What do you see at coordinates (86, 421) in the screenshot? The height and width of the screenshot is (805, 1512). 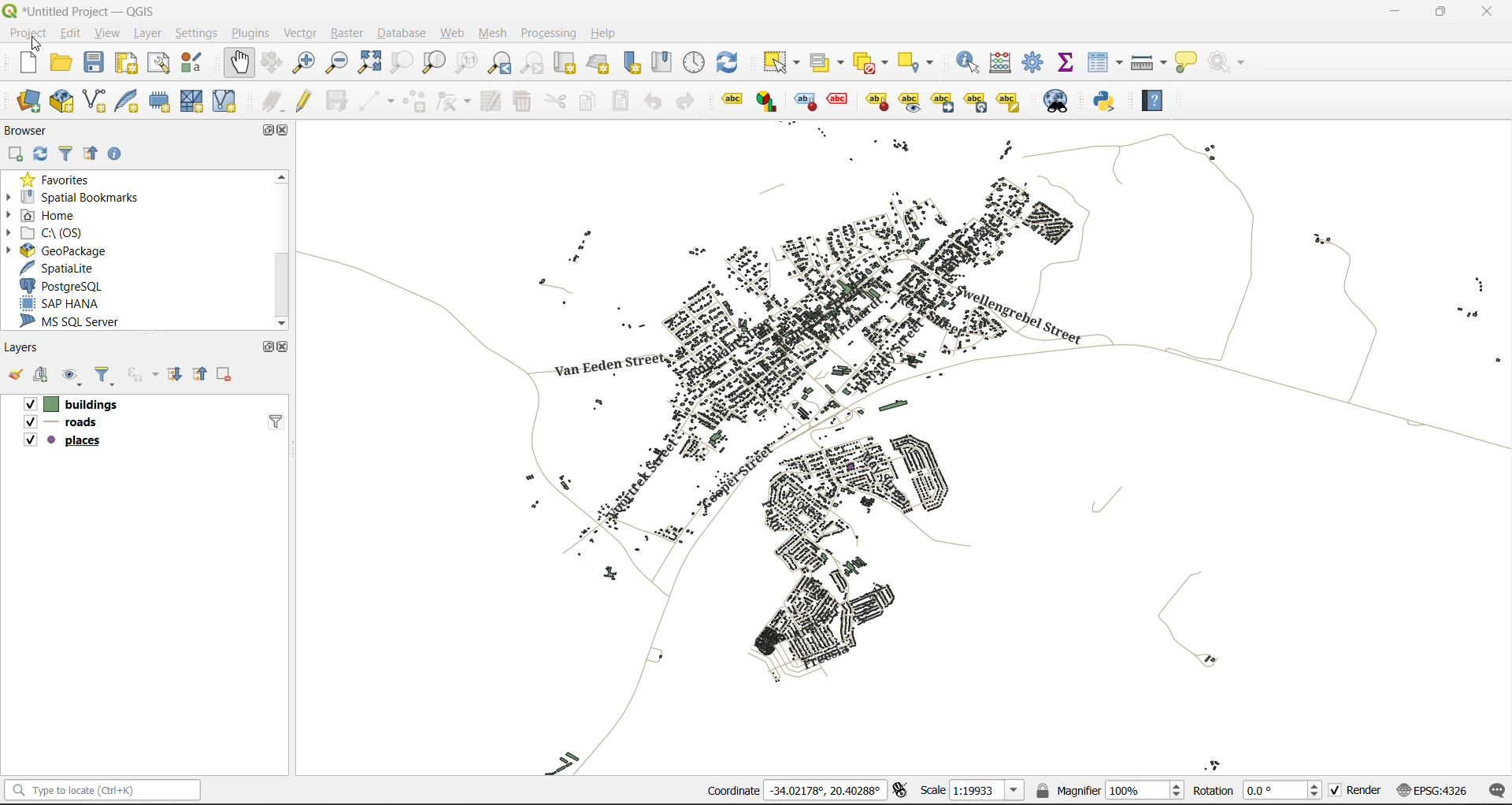 I see `layers` at bounding box center [86, 421].